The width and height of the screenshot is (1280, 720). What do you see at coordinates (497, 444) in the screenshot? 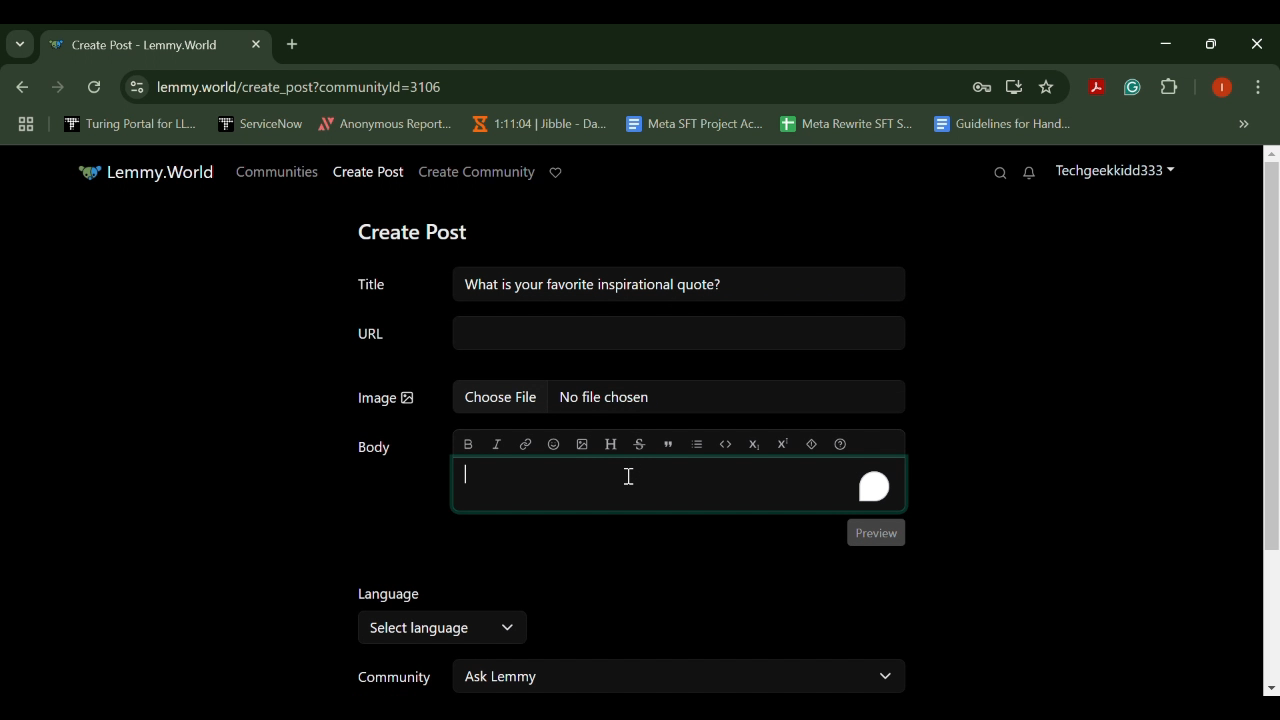
I see `italic` at bounding box center [497, 444].